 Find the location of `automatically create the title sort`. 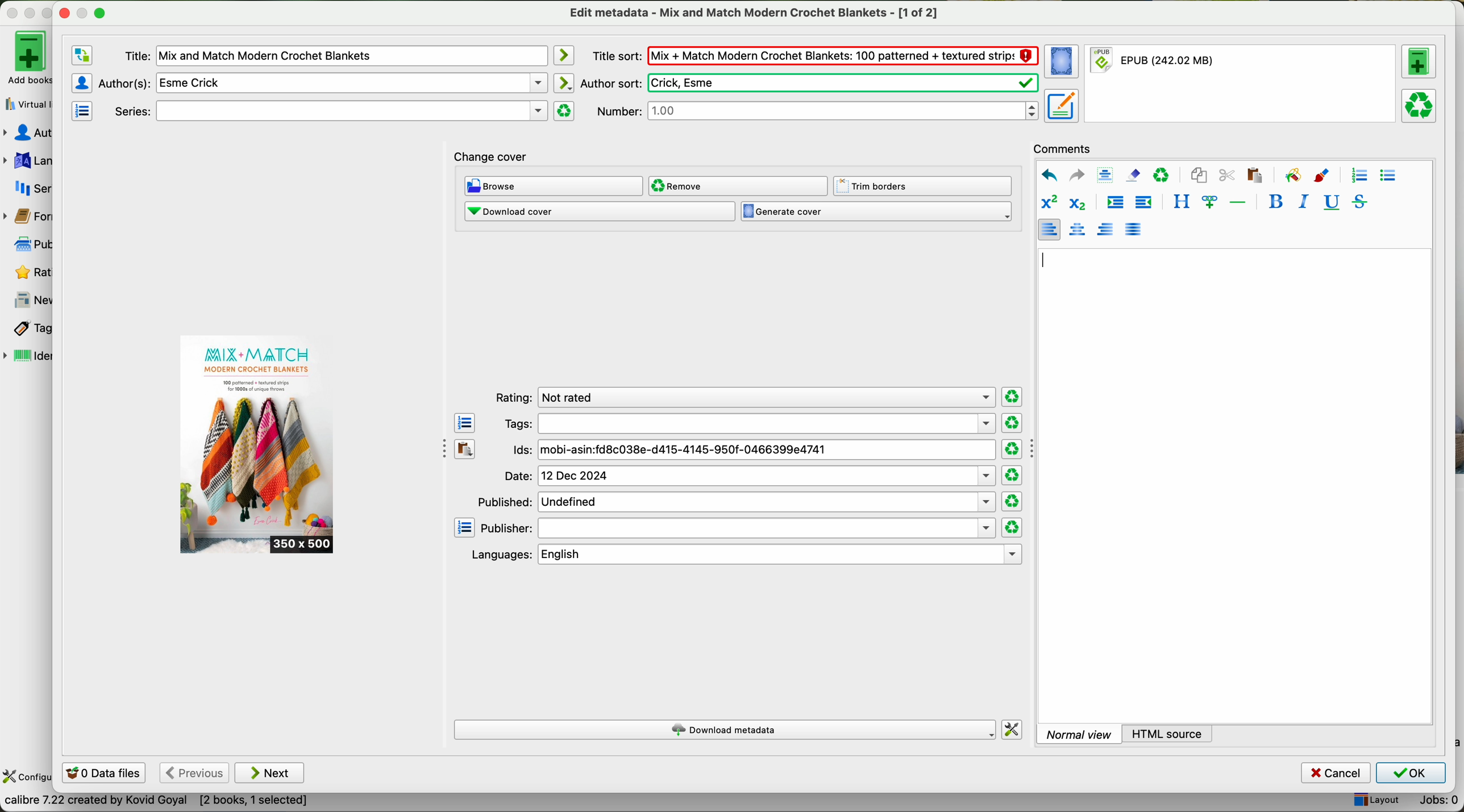

automatically create the title sort is located at coordinates (563, 56).